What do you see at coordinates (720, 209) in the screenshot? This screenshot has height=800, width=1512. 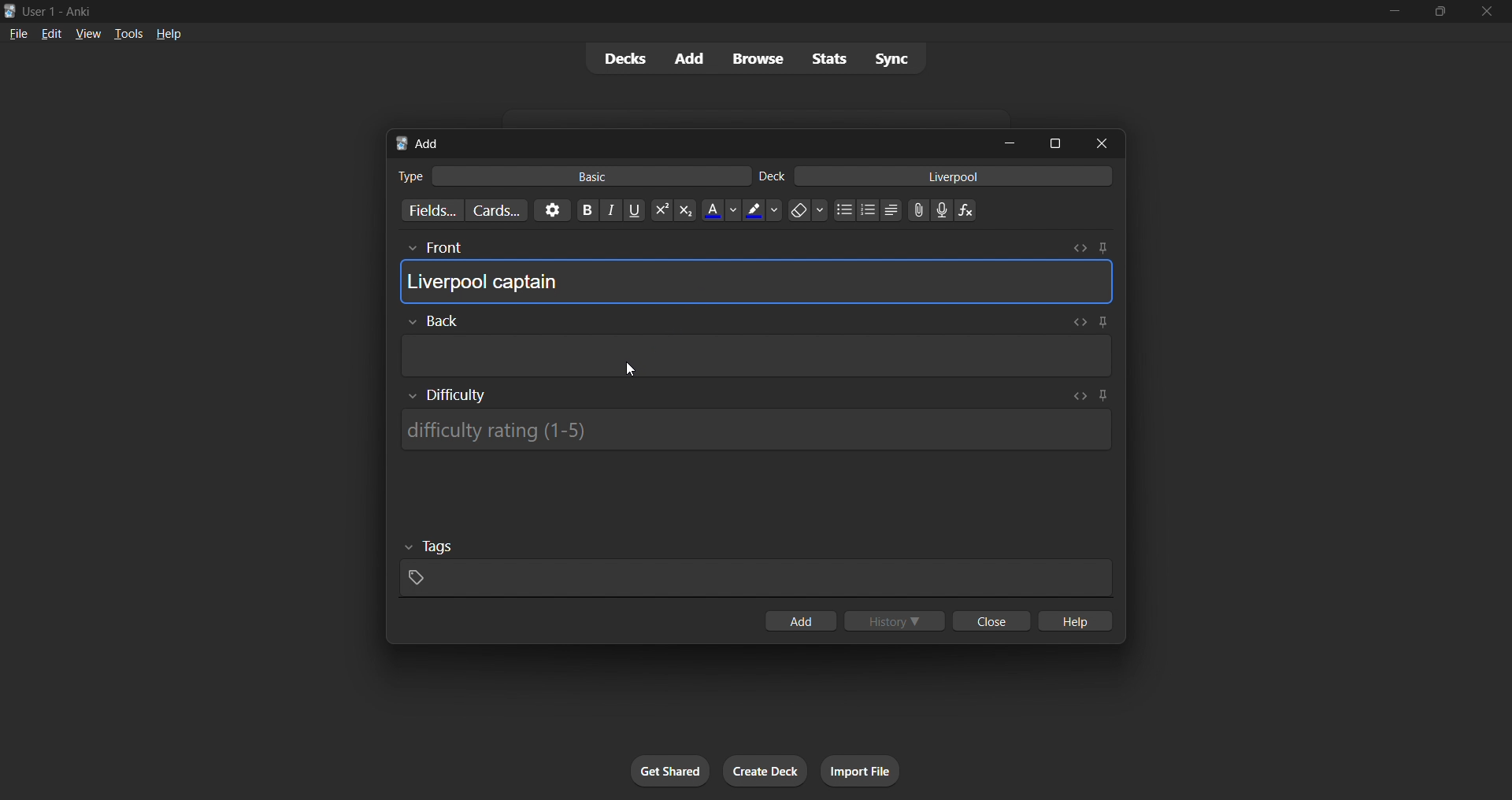 I see `Text color options` at bounding box center [720, 209].